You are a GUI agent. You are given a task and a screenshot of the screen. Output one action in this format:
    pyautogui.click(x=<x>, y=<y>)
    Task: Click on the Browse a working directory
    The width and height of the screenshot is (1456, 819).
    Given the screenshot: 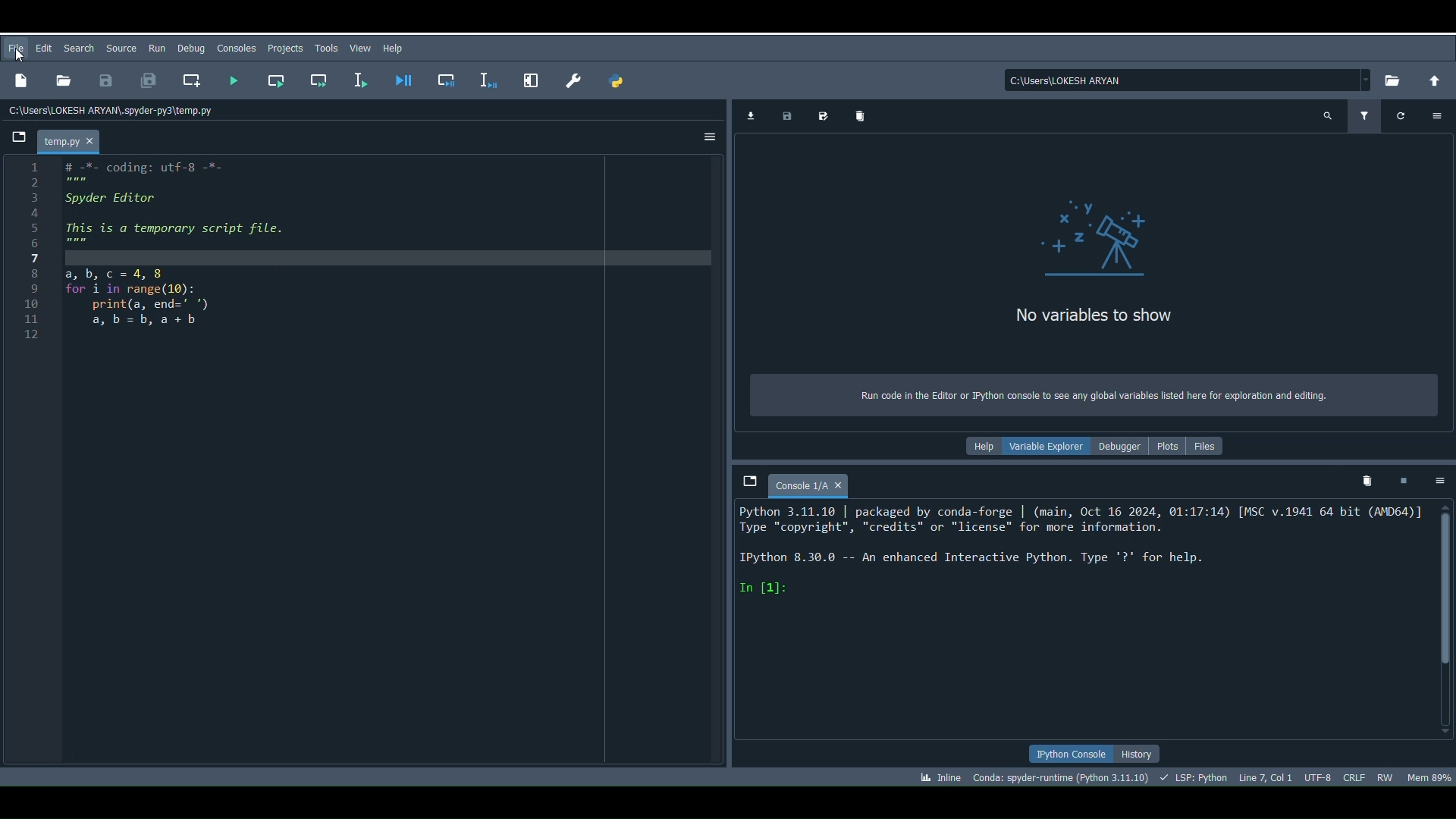 What is the action you would take?
    pyautogui.click(x=1394, y=80)
    